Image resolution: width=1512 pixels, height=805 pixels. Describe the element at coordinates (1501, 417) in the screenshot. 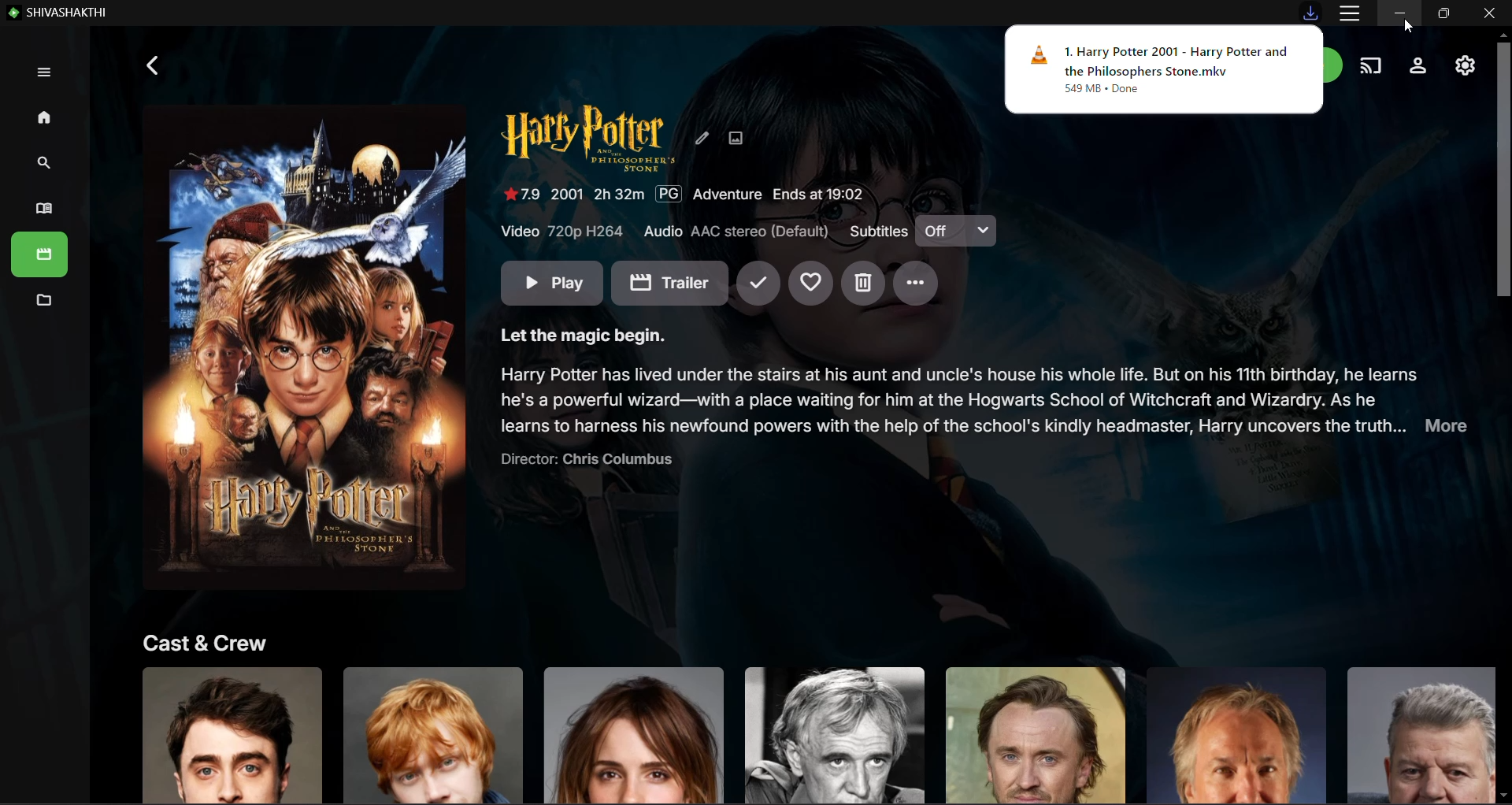

I see `Vertical Scroll Bar` at that location.